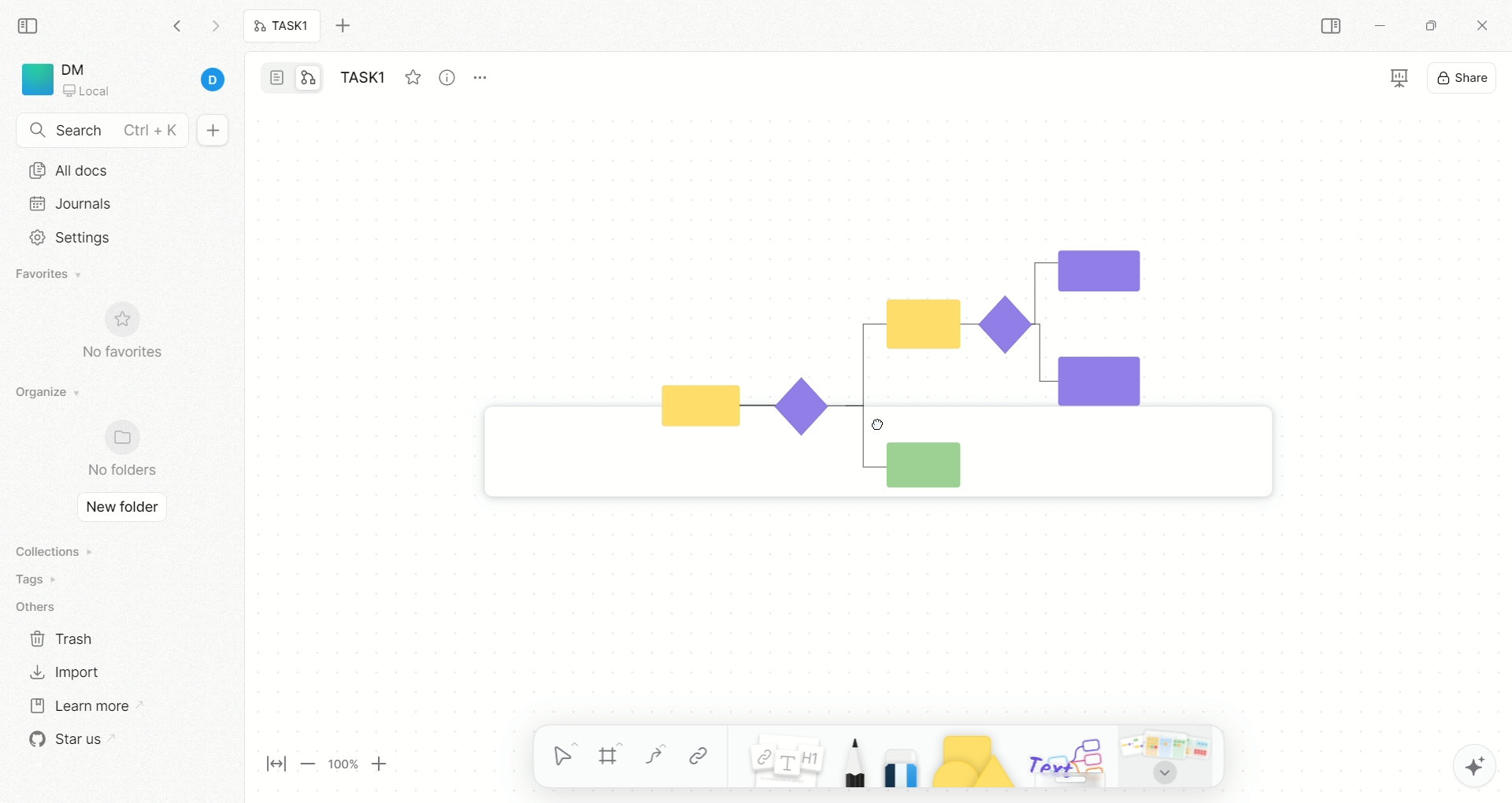  I want to click on favorites, so click(51, 276).